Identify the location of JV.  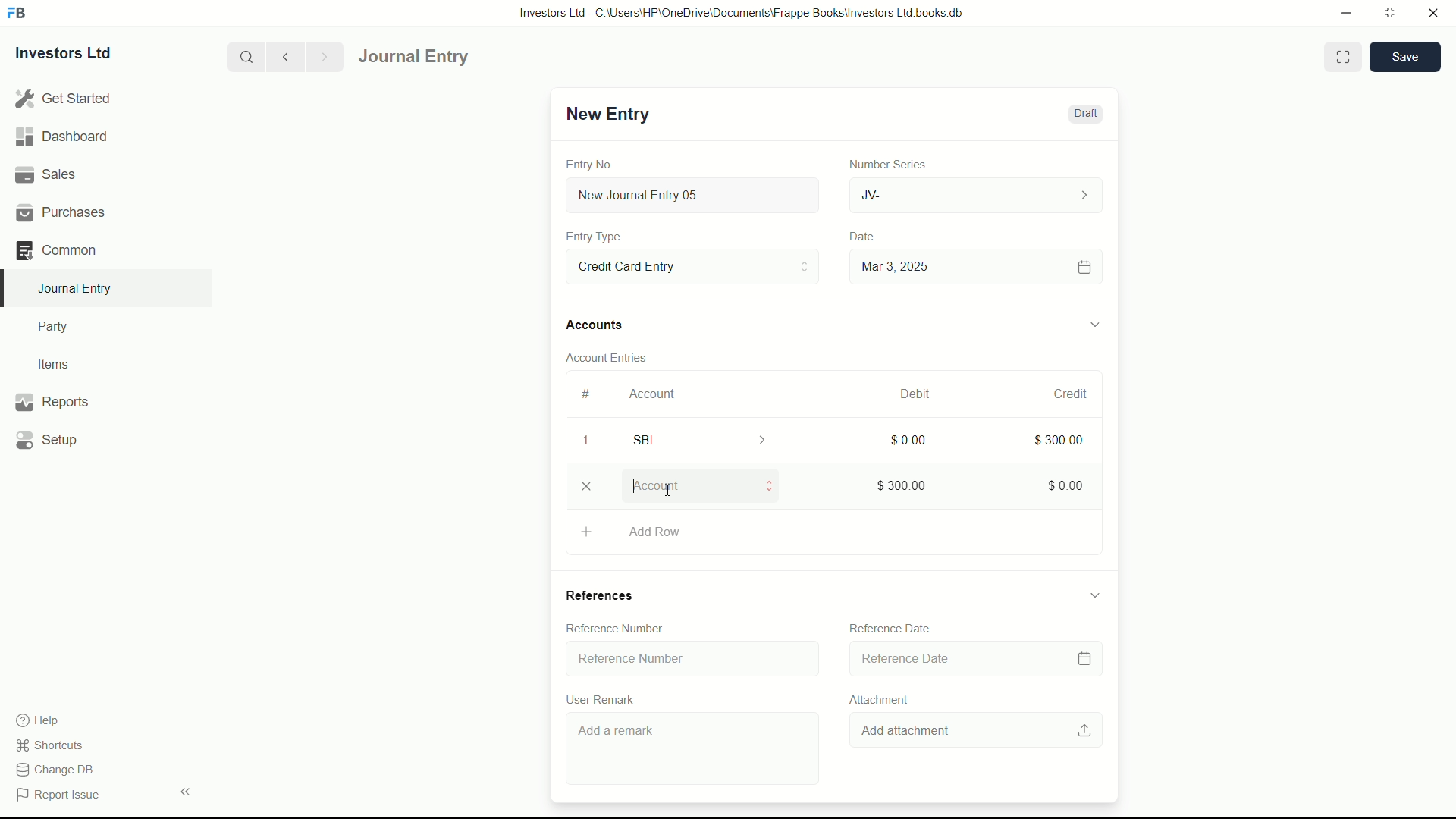
(978, 193).